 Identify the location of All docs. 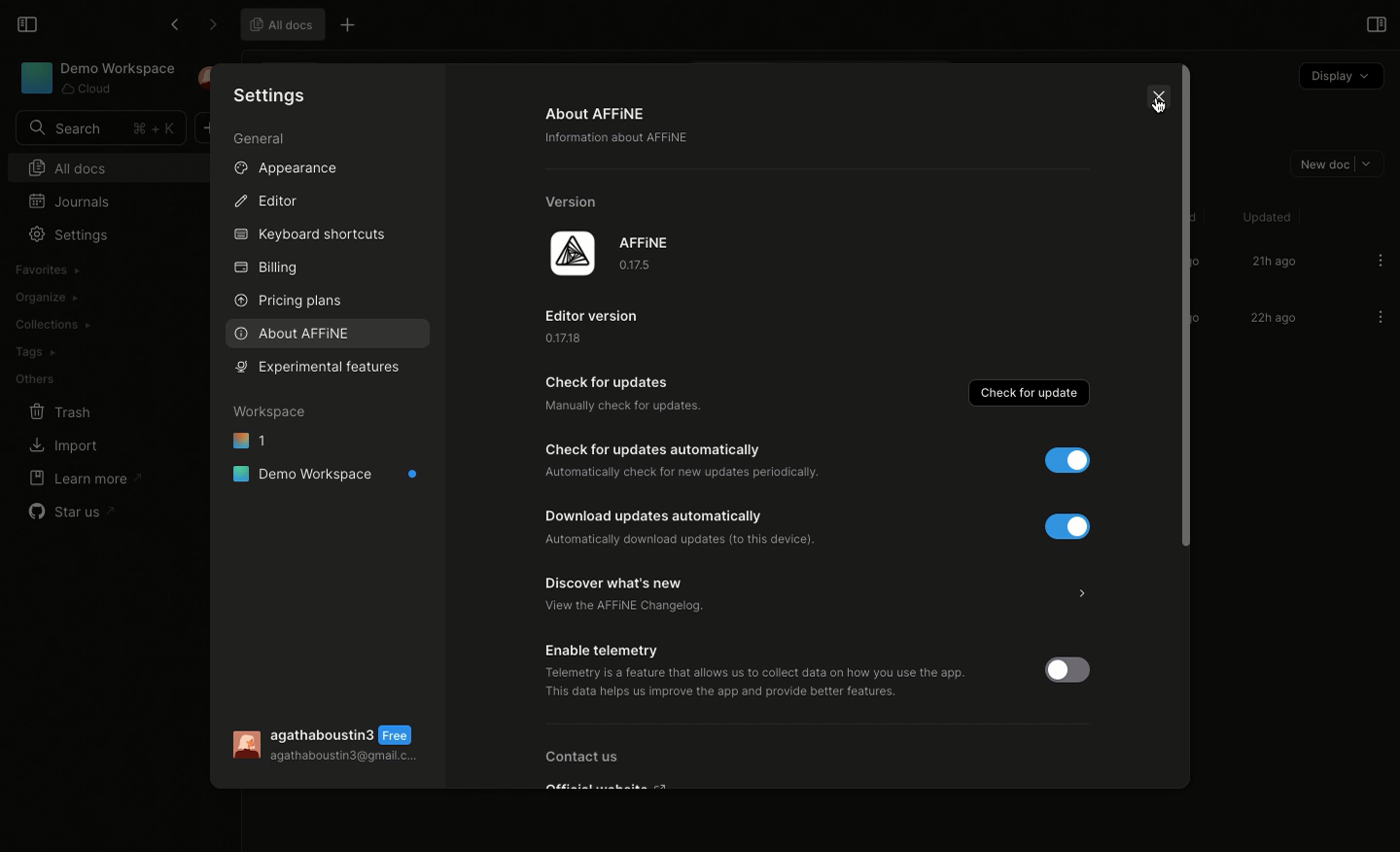
(94, 167).